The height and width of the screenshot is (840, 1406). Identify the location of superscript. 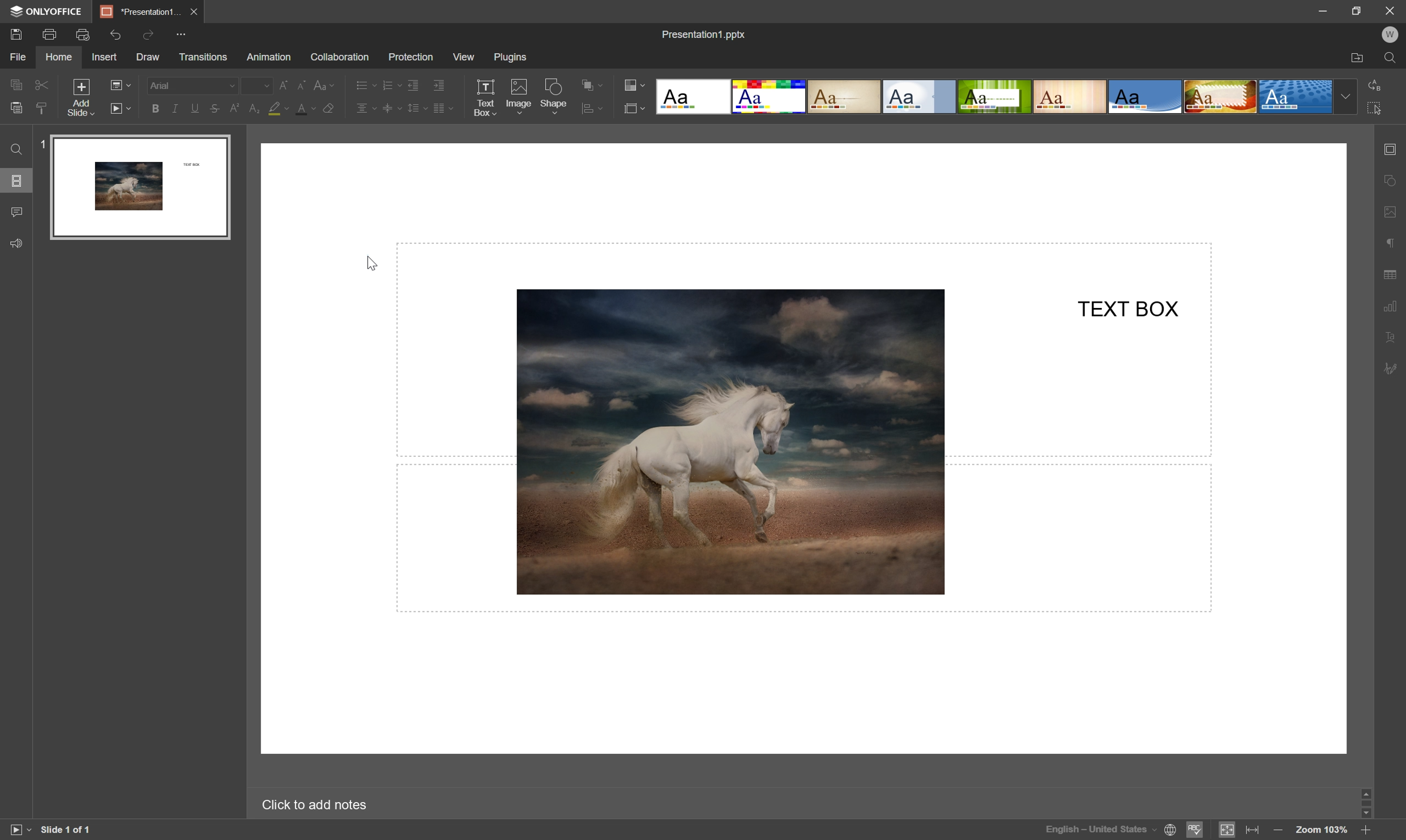
(237, 109).